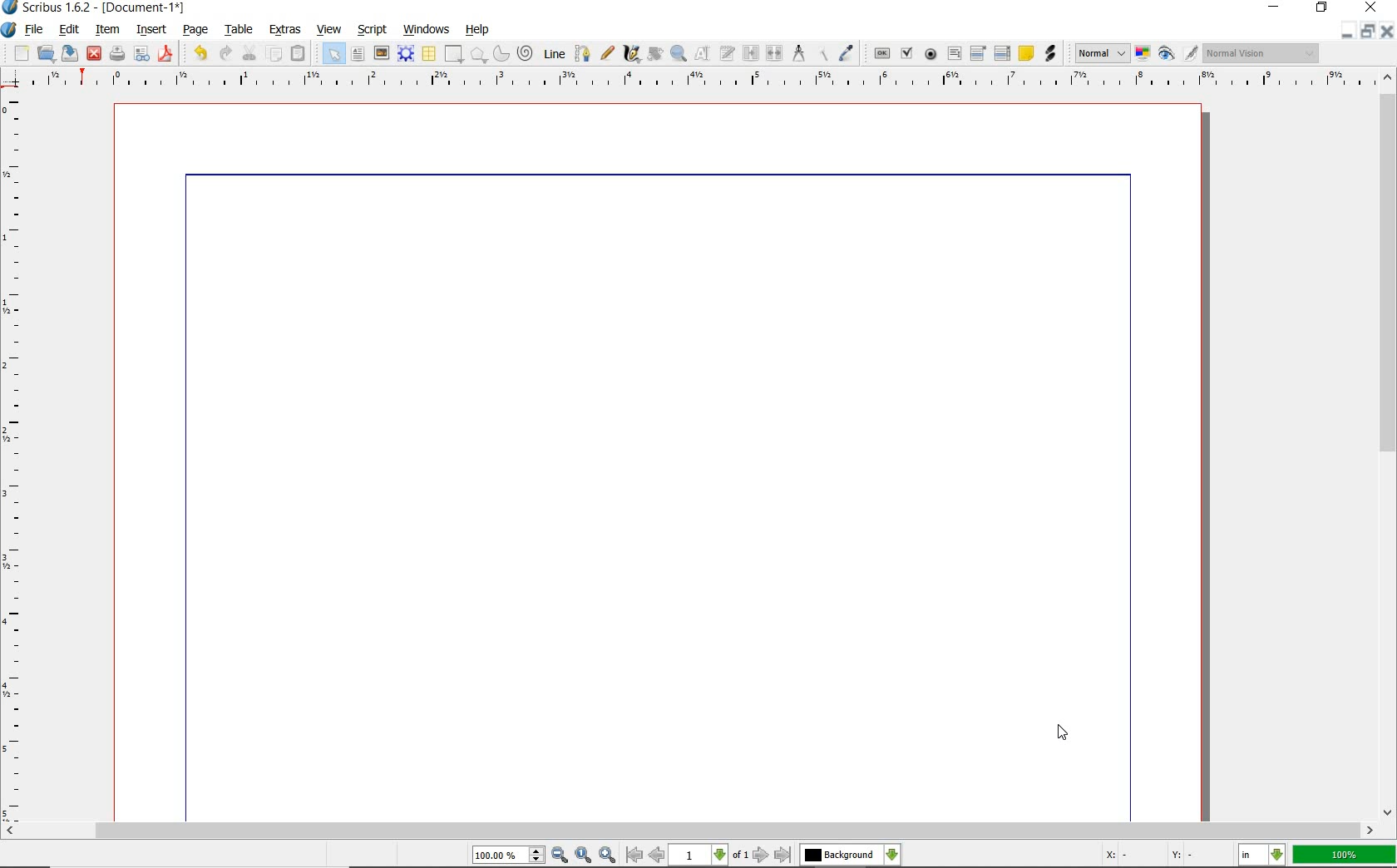 The image size is (1397, 868). Describe the element at coordinates (546, 855) in the screenshot. I see `zoom in/zoom to/zoom out` at that location.